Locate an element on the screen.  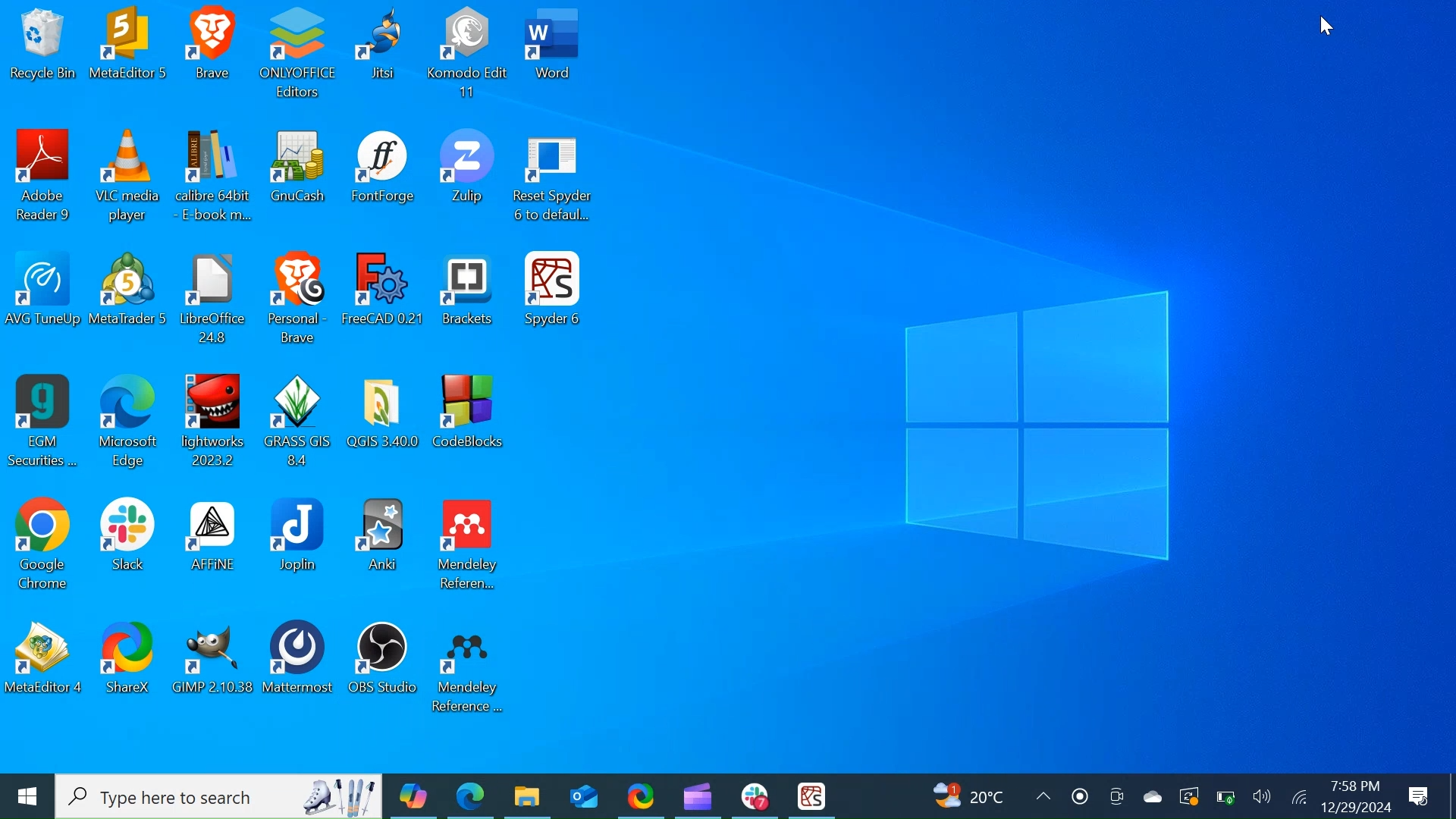
ShareX Desktop icon is located at coordinates (133, 661).